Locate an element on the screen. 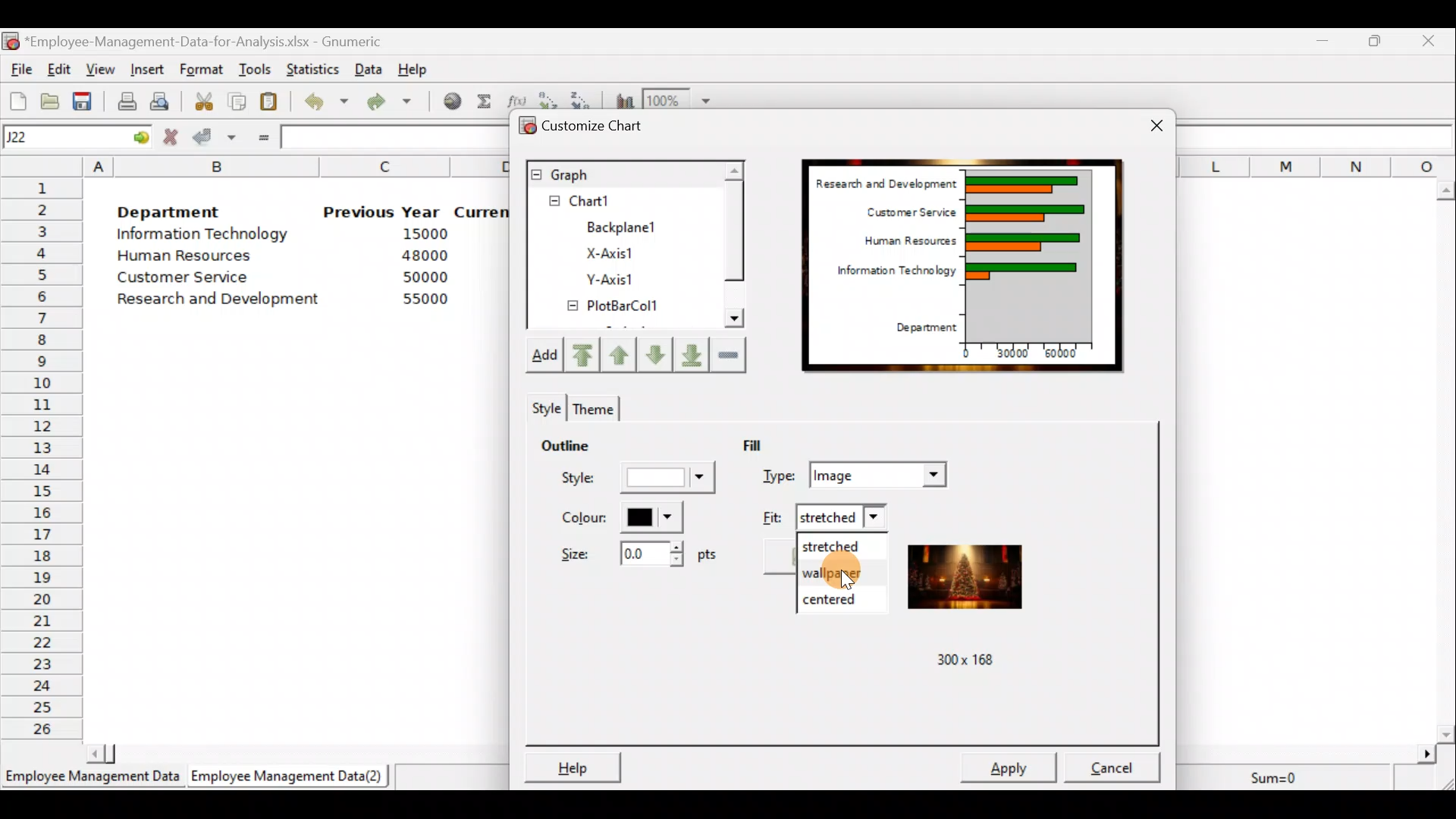 Image resolution: width=1456 pixels, height=819 pixels. Size is located at coordinates (632, 558).